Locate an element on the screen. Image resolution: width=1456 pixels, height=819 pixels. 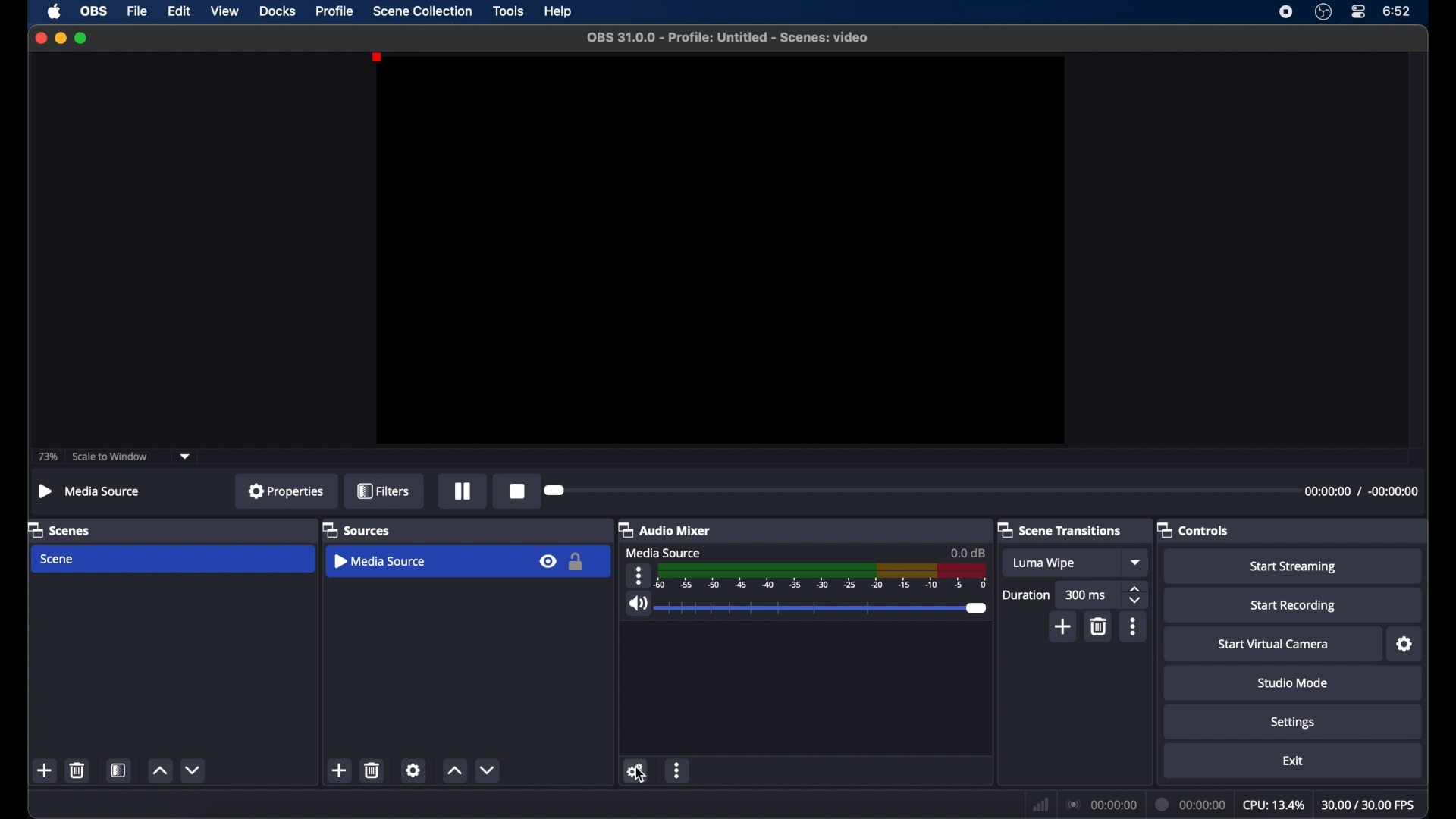
more options is located at coordinates (678, 770).